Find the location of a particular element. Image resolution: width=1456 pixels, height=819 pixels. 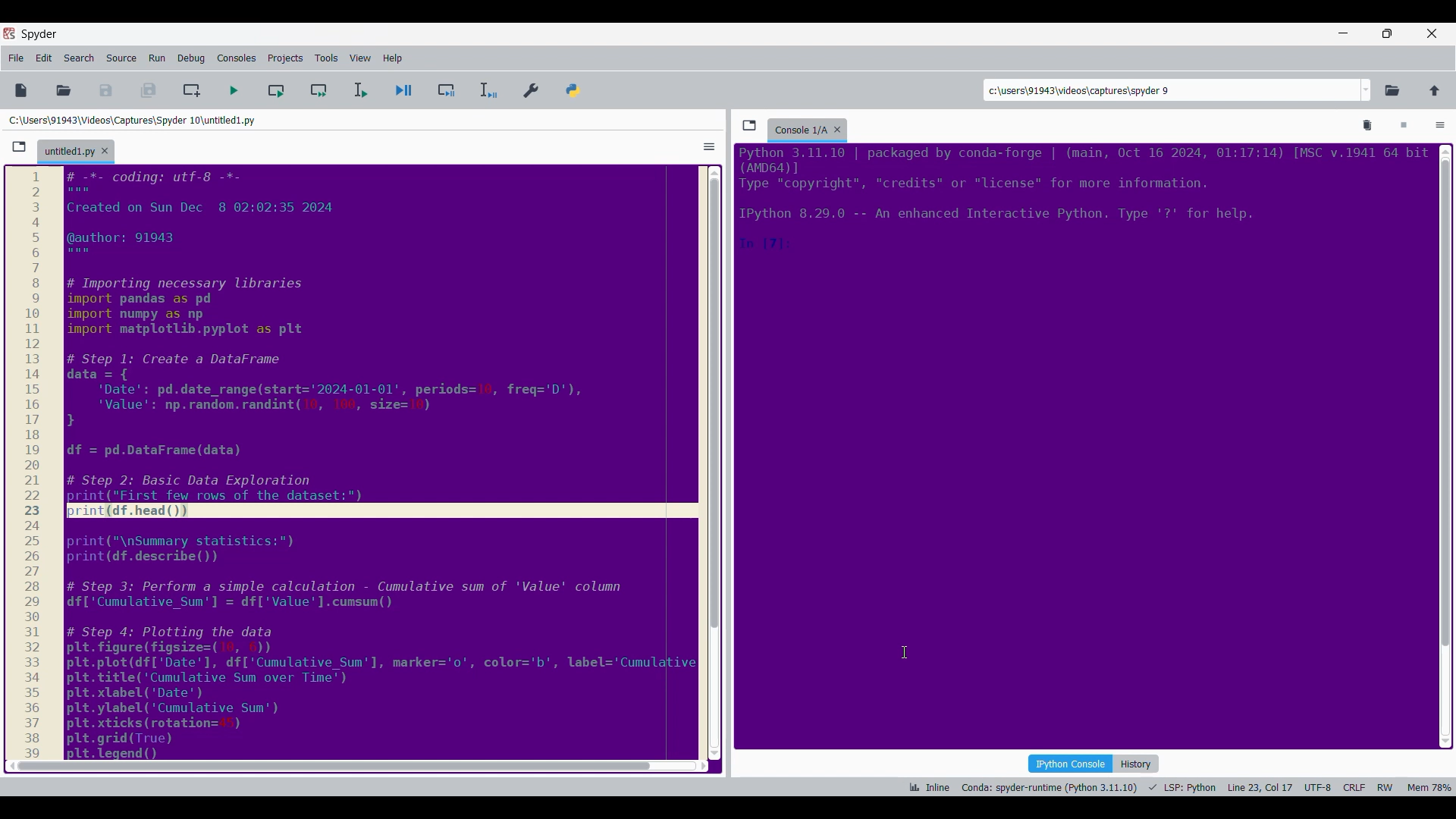

Open is located at coordinates (64, 90).